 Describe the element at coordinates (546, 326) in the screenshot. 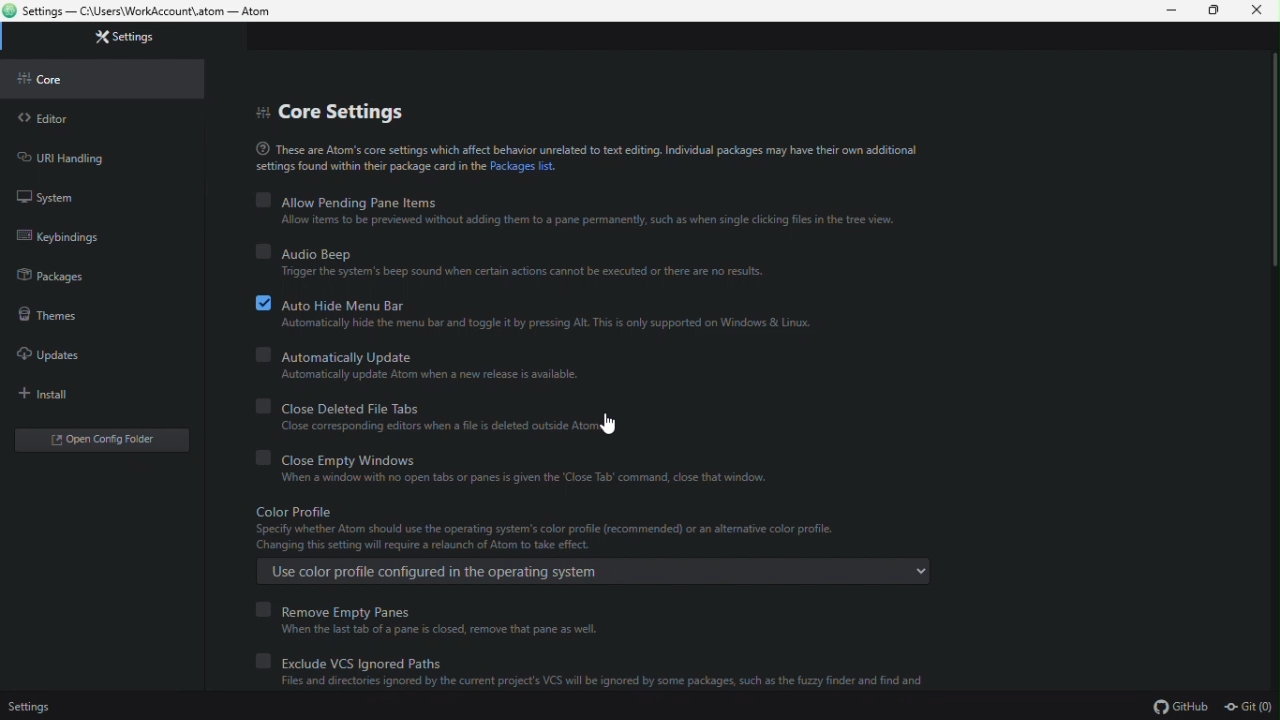

I see `‘Automatically hide the men bar and togale t by pressing AR. Thi is only supported on Windows & Linux` at that location.